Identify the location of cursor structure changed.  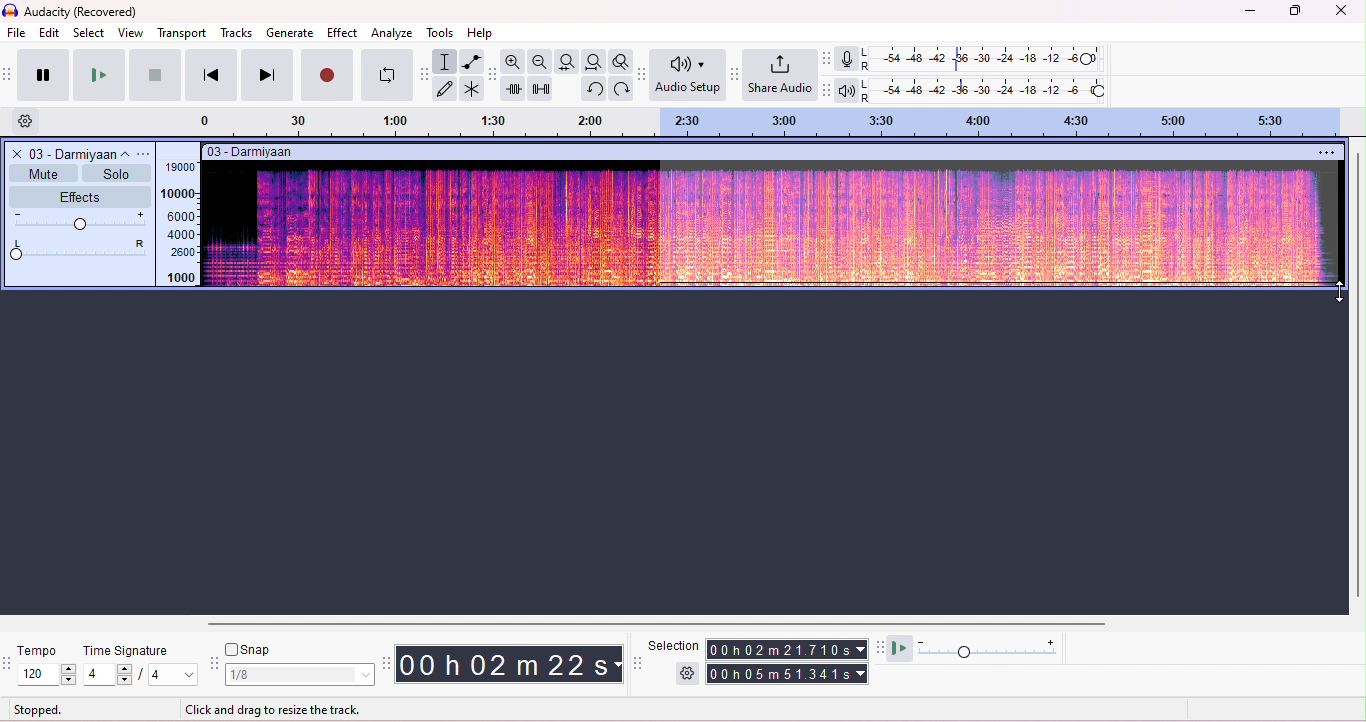
(1338, 288).